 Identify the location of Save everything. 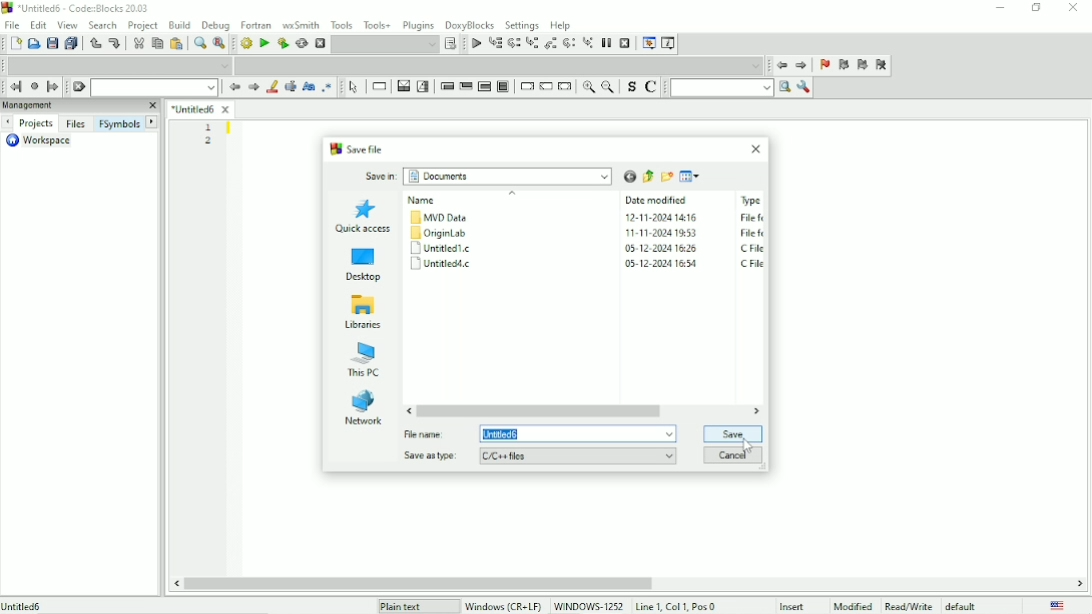
(72, 43).